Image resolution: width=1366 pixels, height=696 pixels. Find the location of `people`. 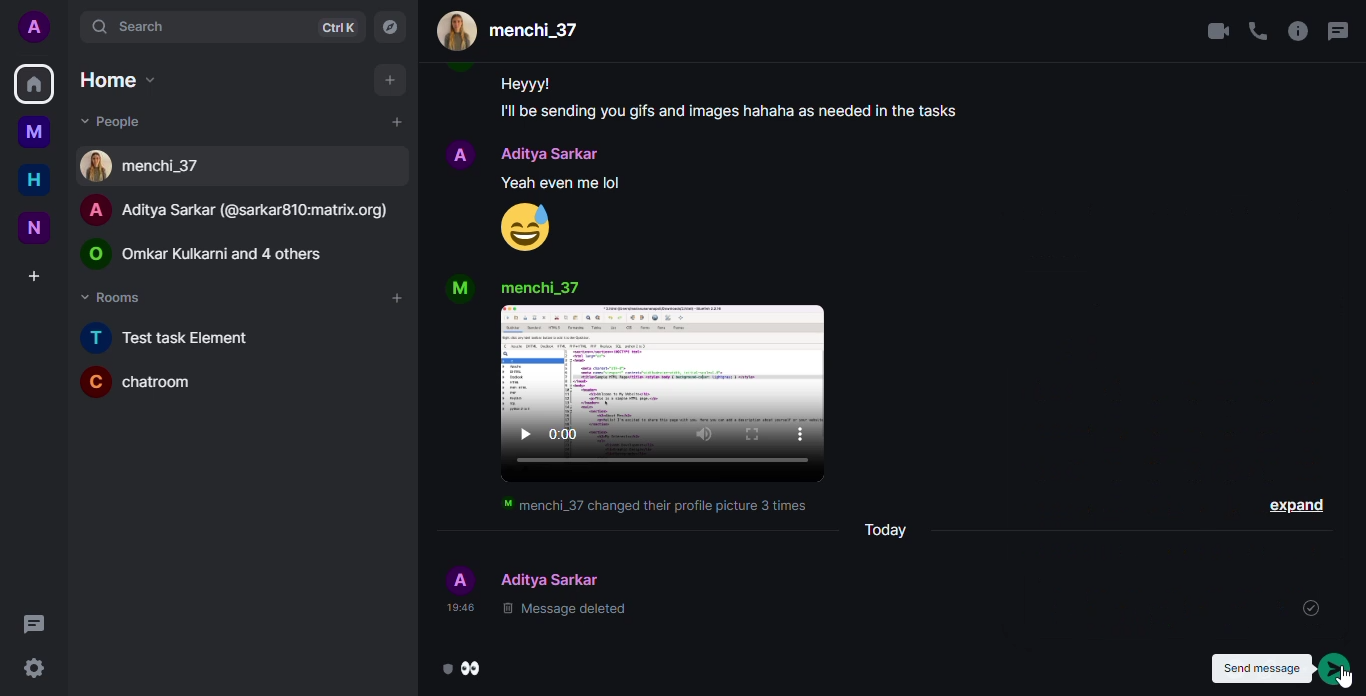

people is located at coordinates (541, 286).